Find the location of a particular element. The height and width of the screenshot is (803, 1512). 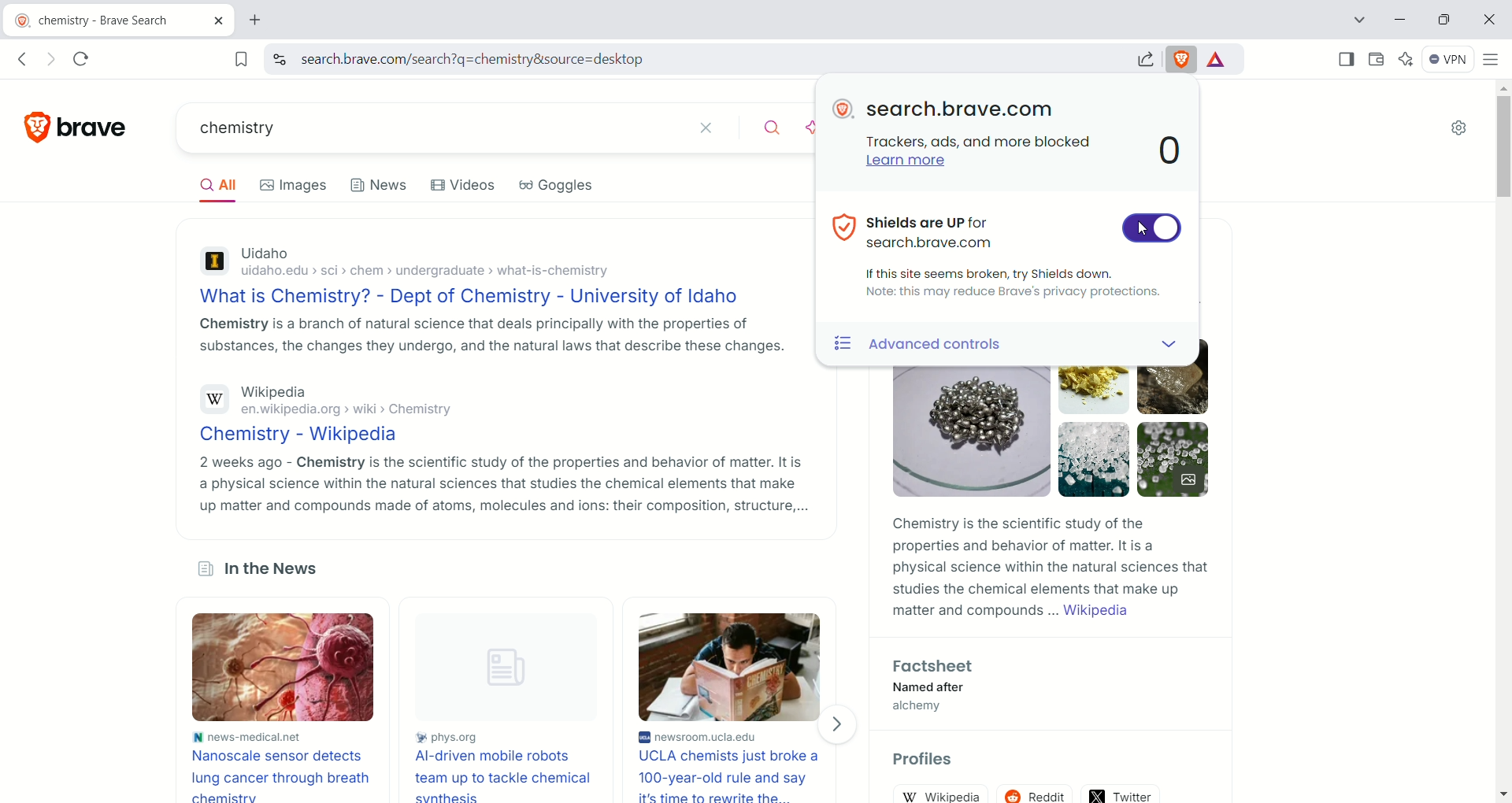

settings is located at coordinates (1462, 129).